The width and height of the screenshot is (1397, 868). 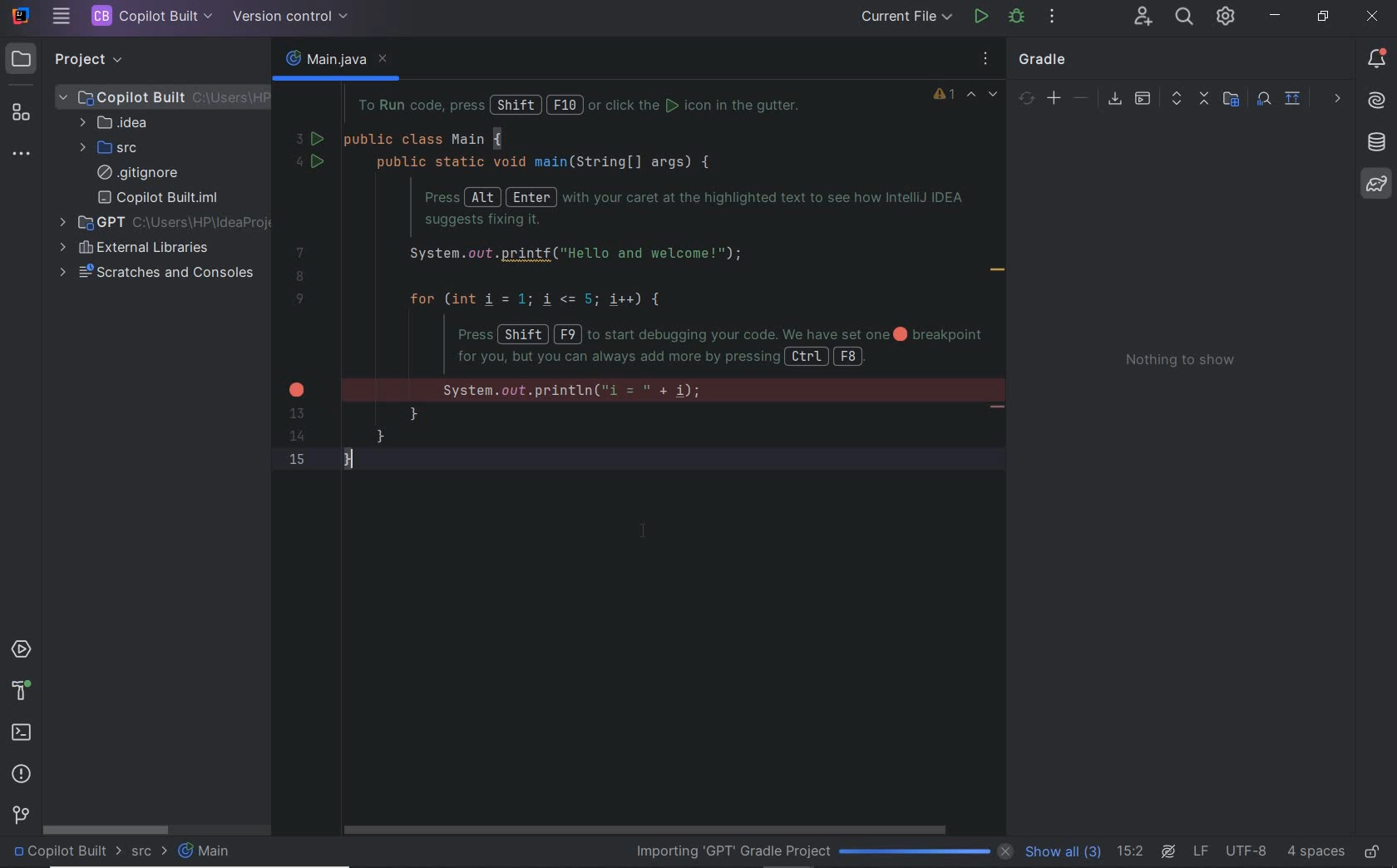 What do you see at coordinates (301, 298) in the screenshot?
I see `9` at bounding box center [301, 298].